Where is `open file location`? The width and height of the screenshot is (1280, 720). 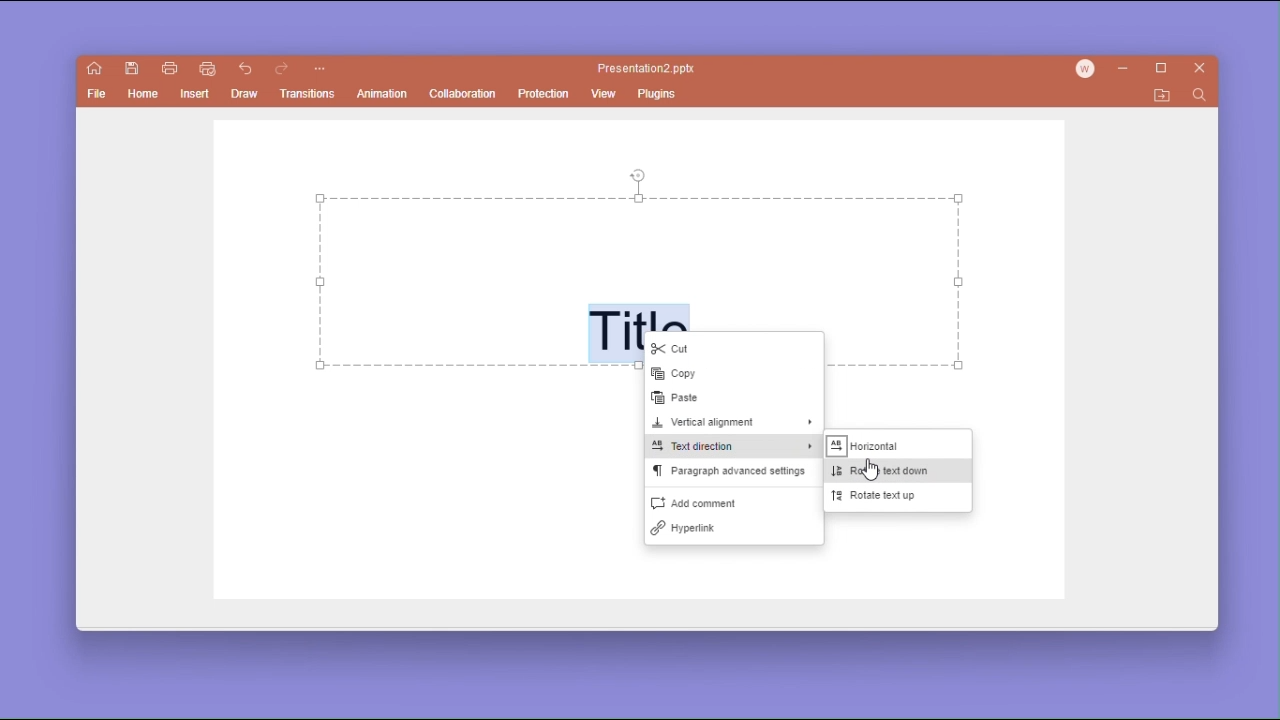
open file location is located at coordinates (1162, 96).